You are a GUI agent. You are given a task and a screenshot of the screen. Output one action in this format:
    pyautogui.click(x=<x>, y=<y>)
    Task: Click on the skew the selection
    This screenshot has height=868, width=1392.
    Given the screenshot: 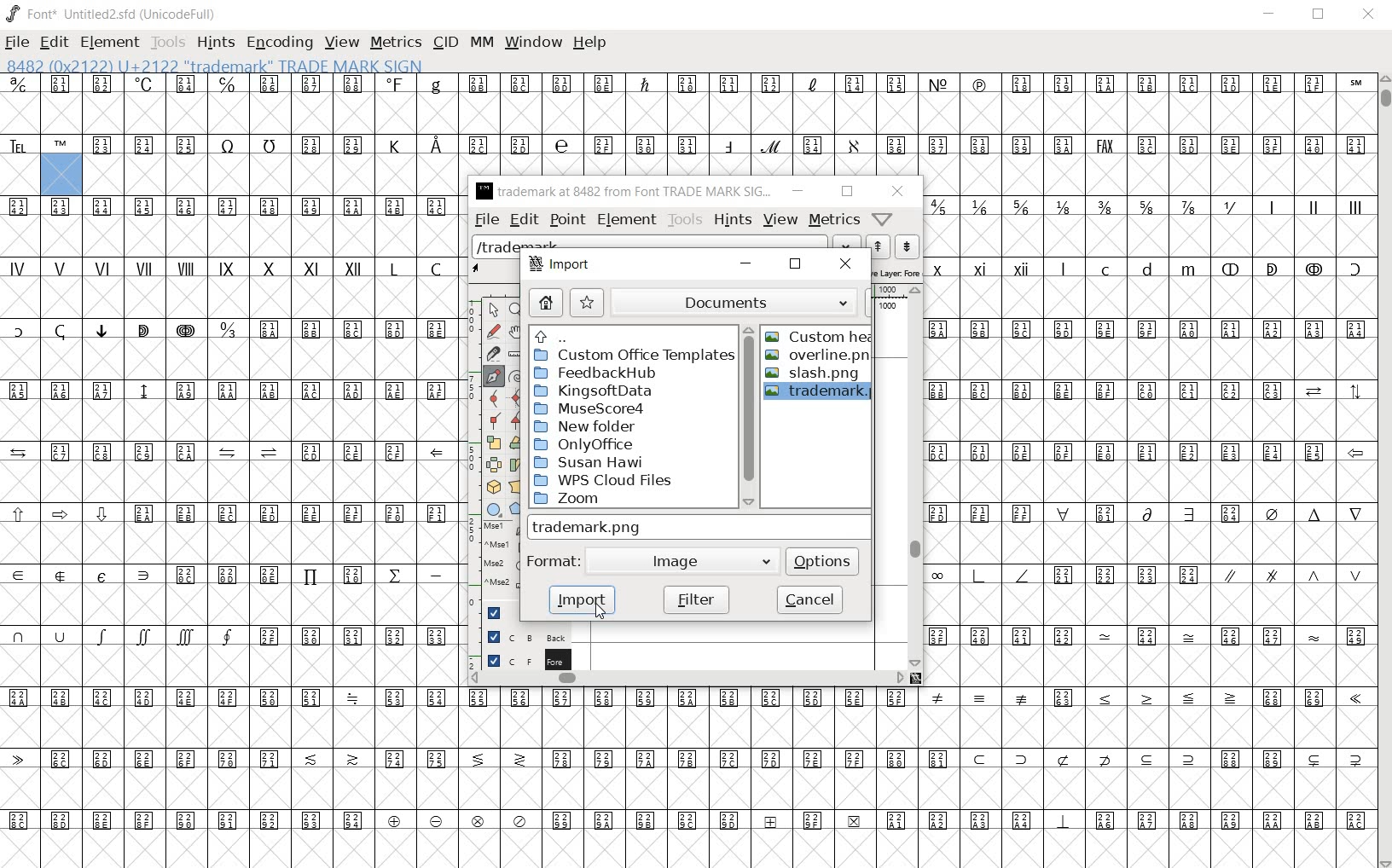 What is the action you would take?
    pyautogui.click(x=519, y=465)
    